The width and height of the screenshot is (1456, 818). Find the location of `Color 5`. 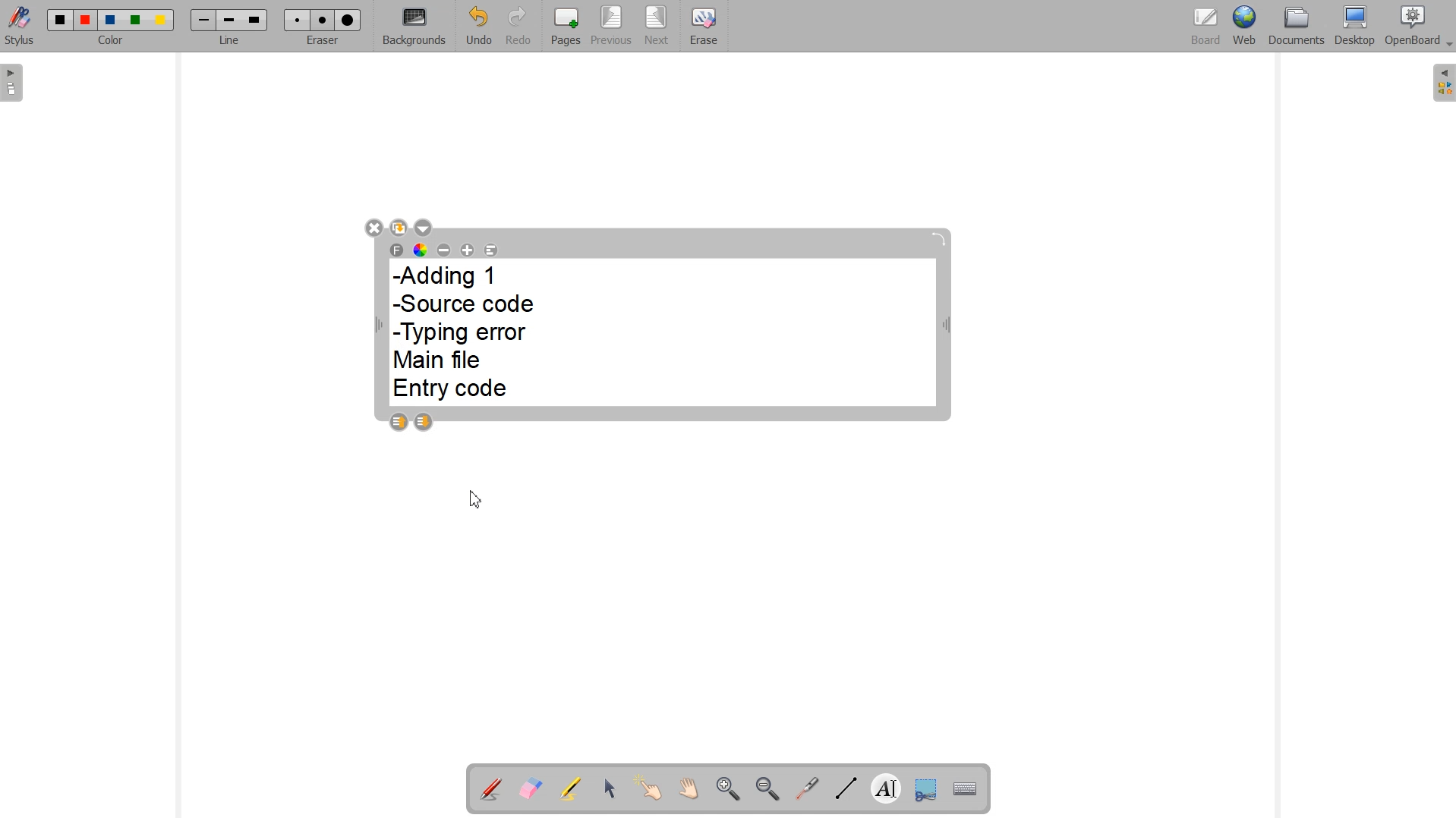

Color 5 is located at coordinates (162, 20).